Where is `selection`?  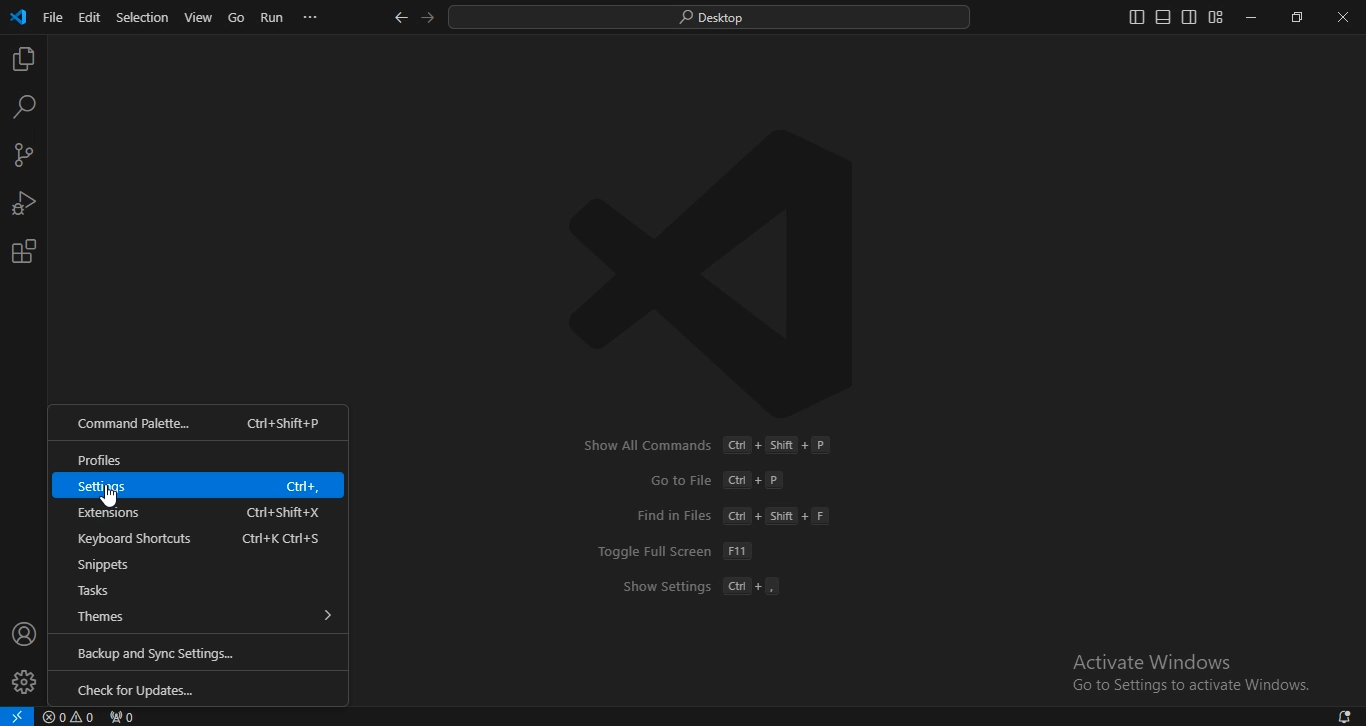 selection is located at coordinates (144, 16).